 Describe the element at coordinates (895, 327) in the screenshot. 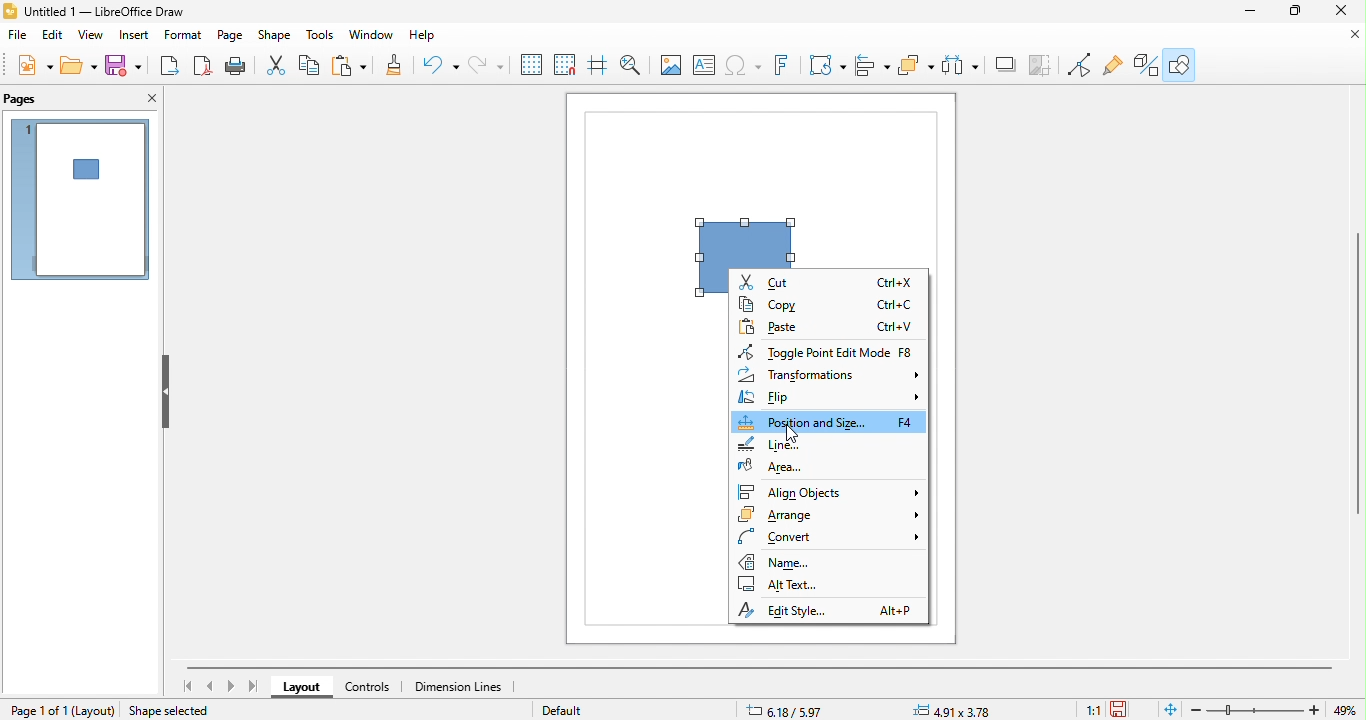

I see `Shortcut key` at that location.